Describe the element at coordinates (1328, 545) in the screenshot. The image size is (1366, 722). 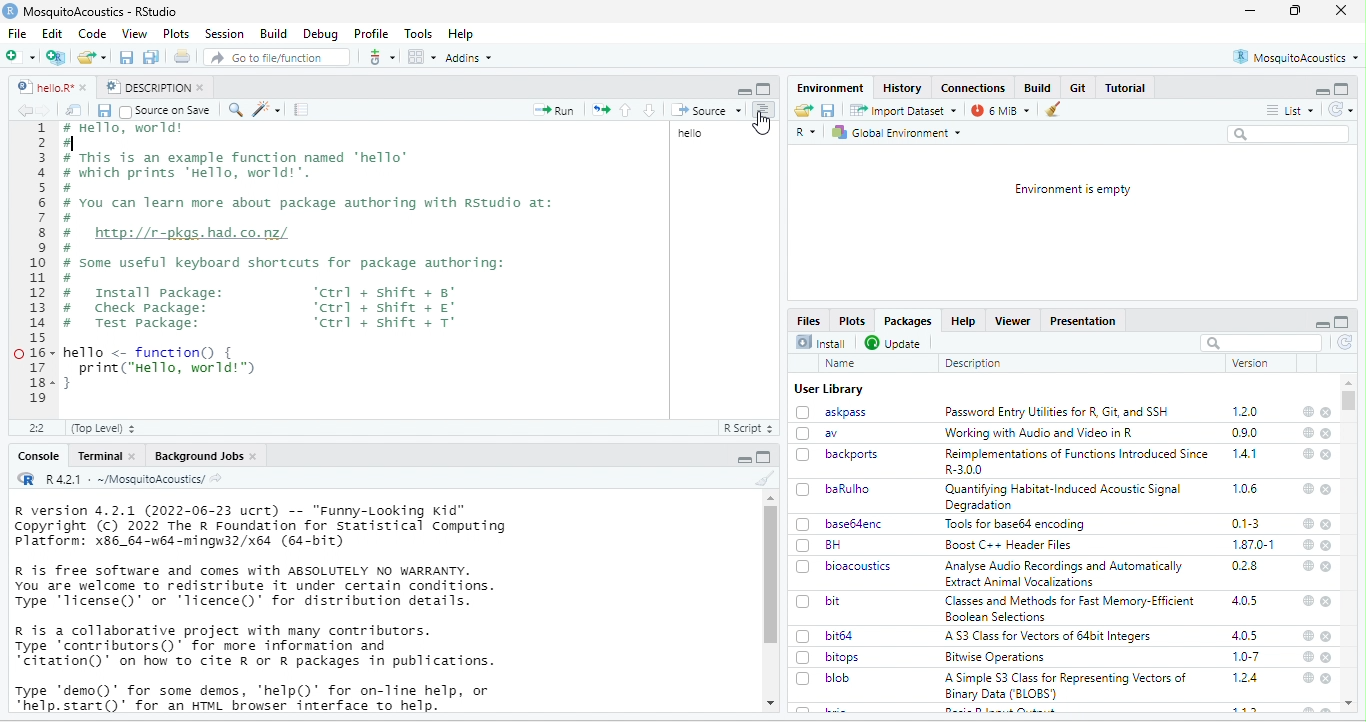
I see `close` at that location.